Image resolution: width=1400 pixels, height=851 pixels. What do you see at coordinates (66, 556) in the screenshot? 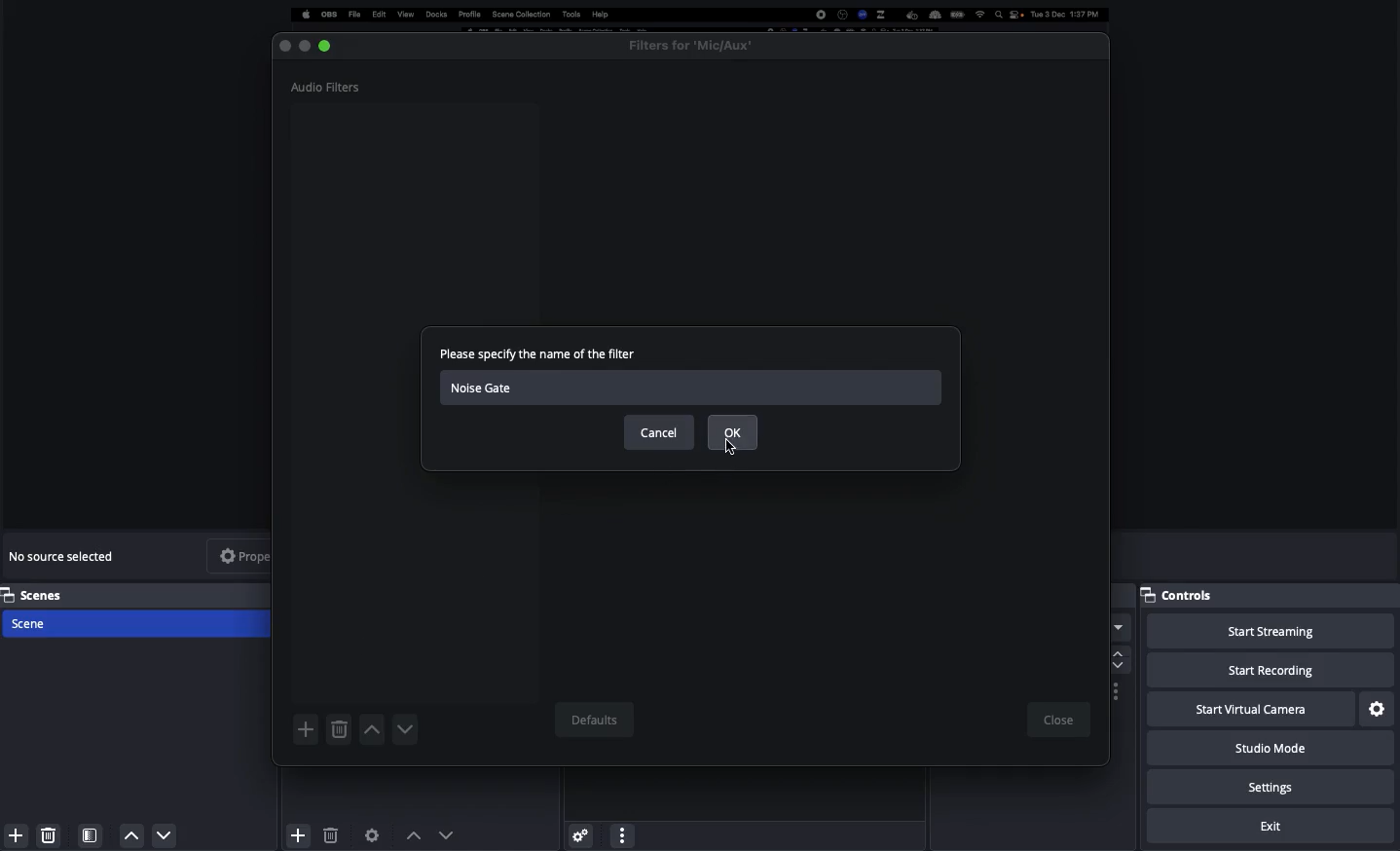
I see `No source selected` at bounding box center [66, 556].